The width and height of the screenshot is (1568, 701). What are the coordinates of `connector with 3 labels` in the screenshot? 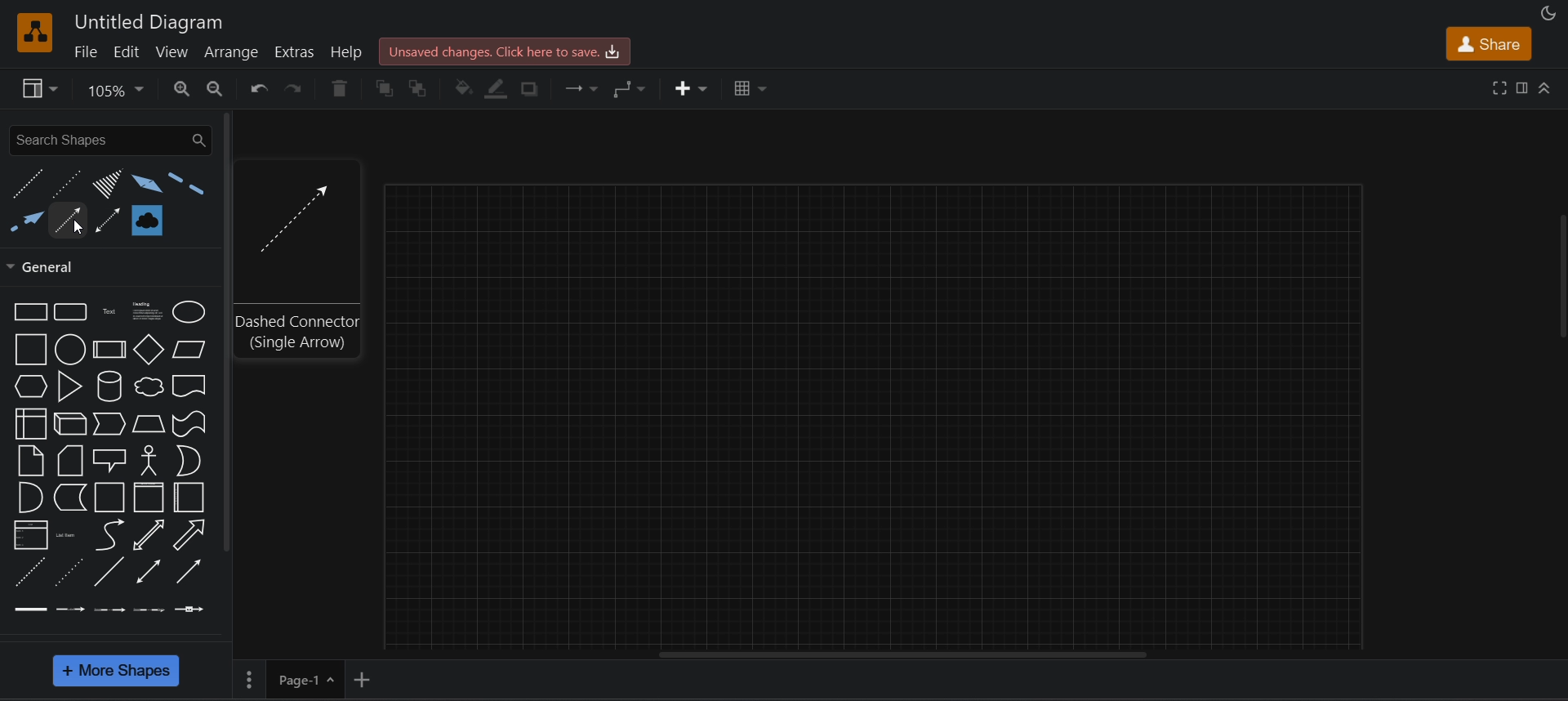 It's located at (148, 609).